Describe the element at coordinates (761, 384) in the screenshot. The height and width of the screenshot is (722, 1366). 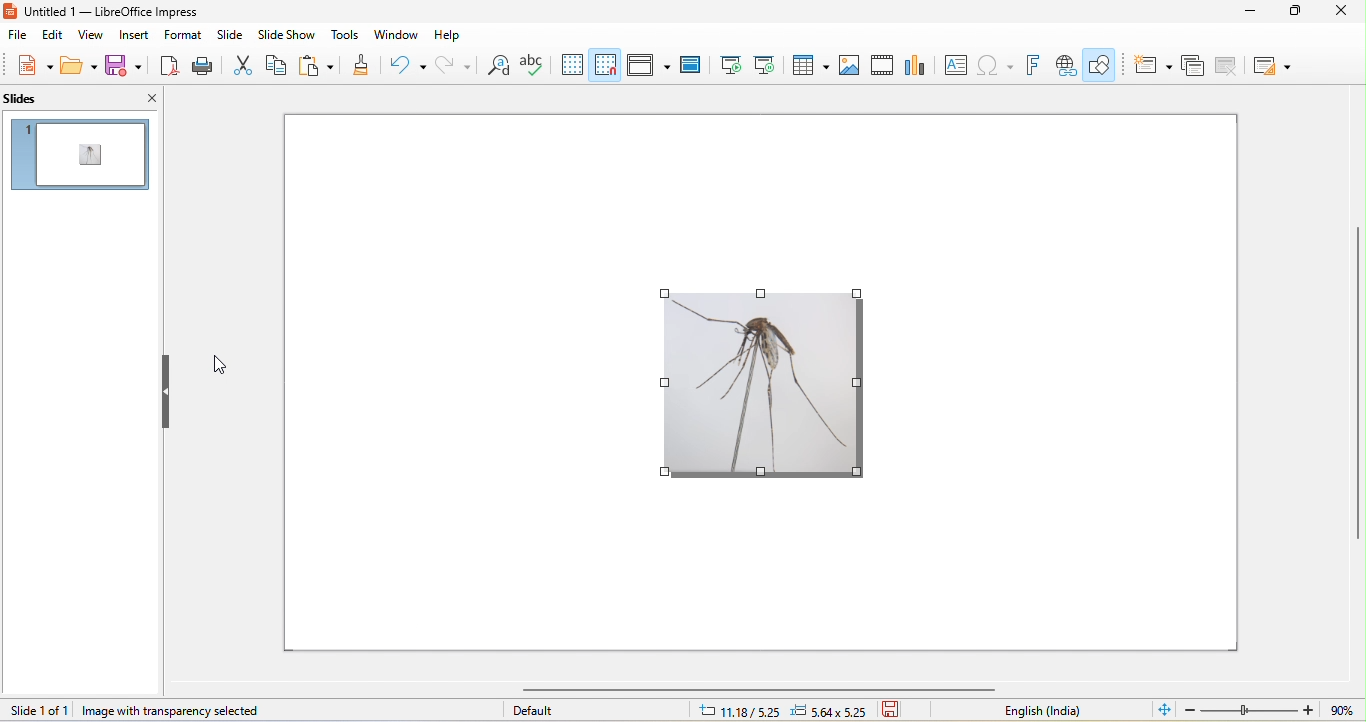
I see `image` at that location.